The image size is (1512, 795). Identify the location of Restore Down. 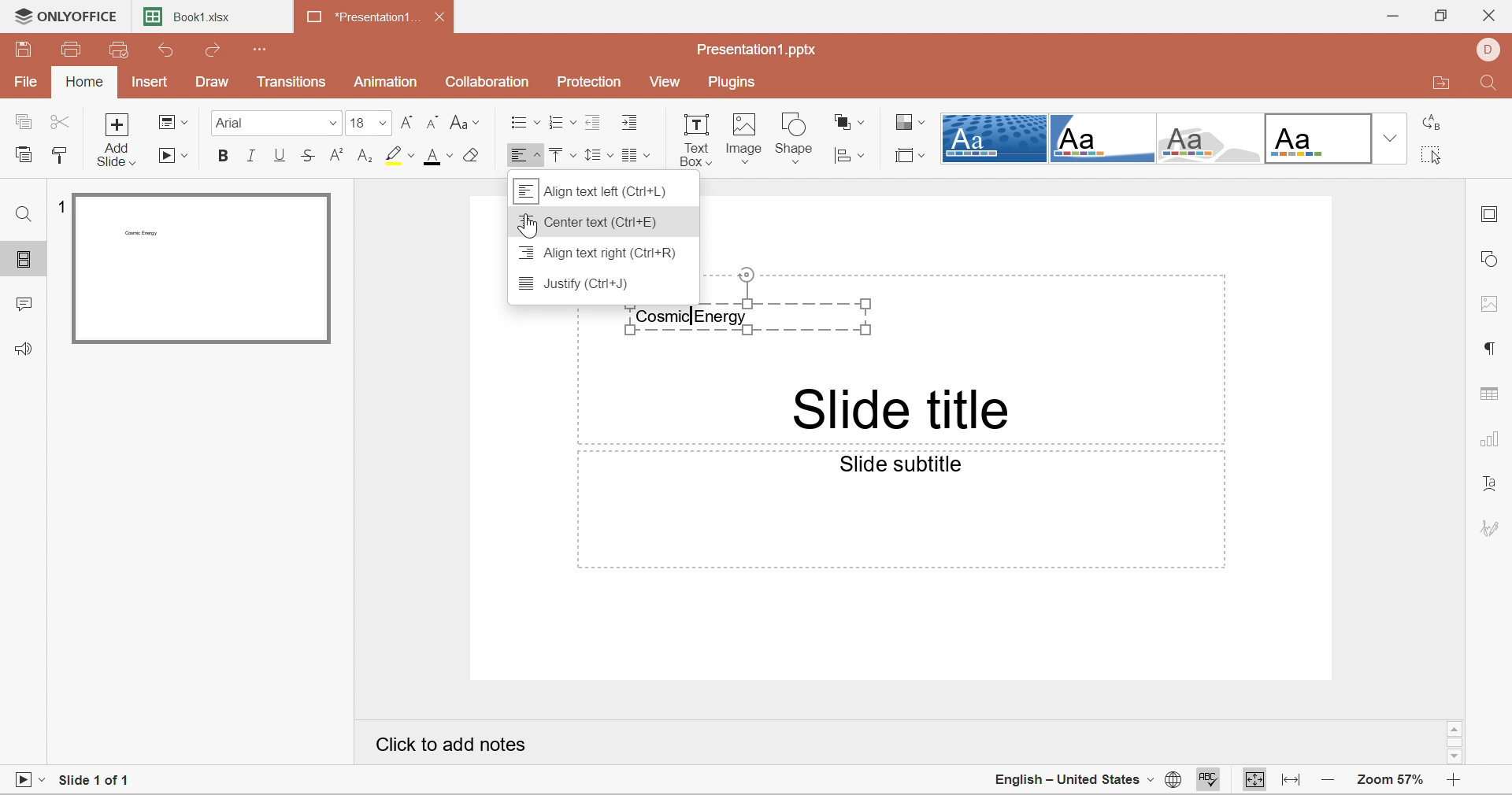
(1440, 16).